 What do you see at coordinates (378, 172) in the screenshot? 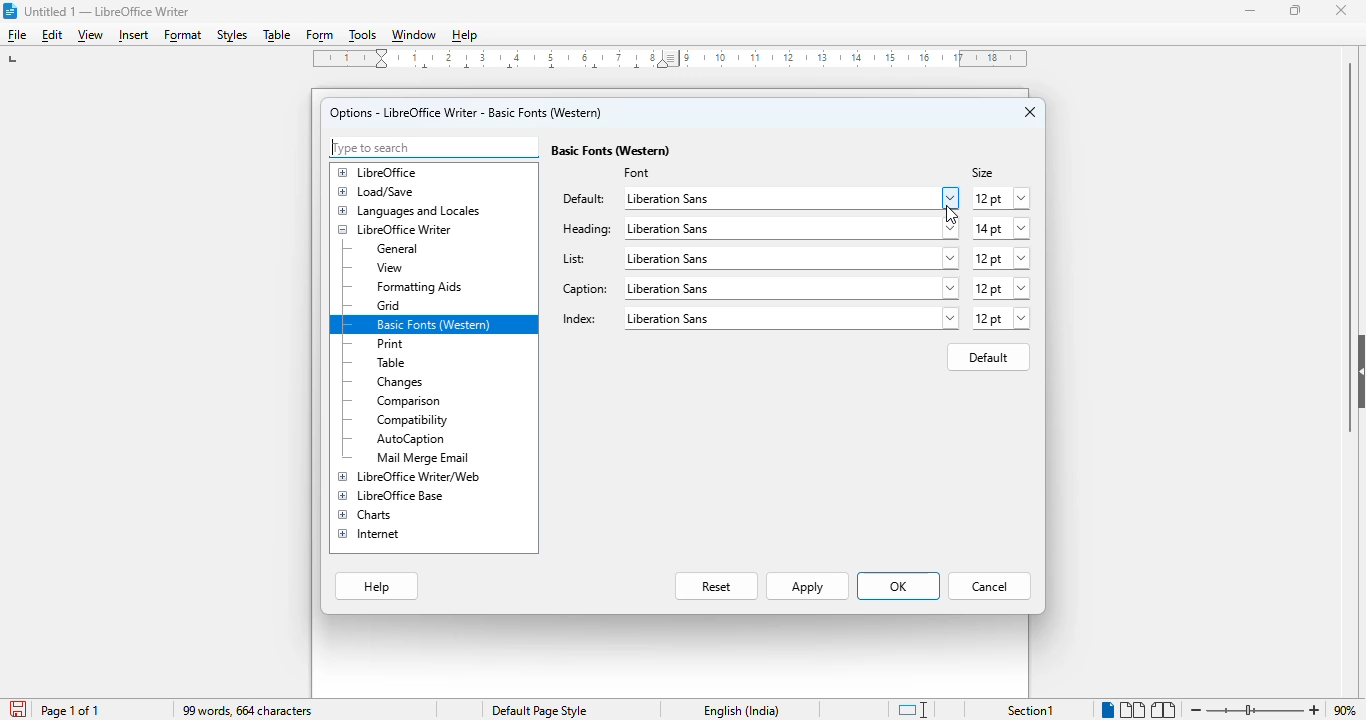
I see `libreOffice` at bounding box center [378, 172].